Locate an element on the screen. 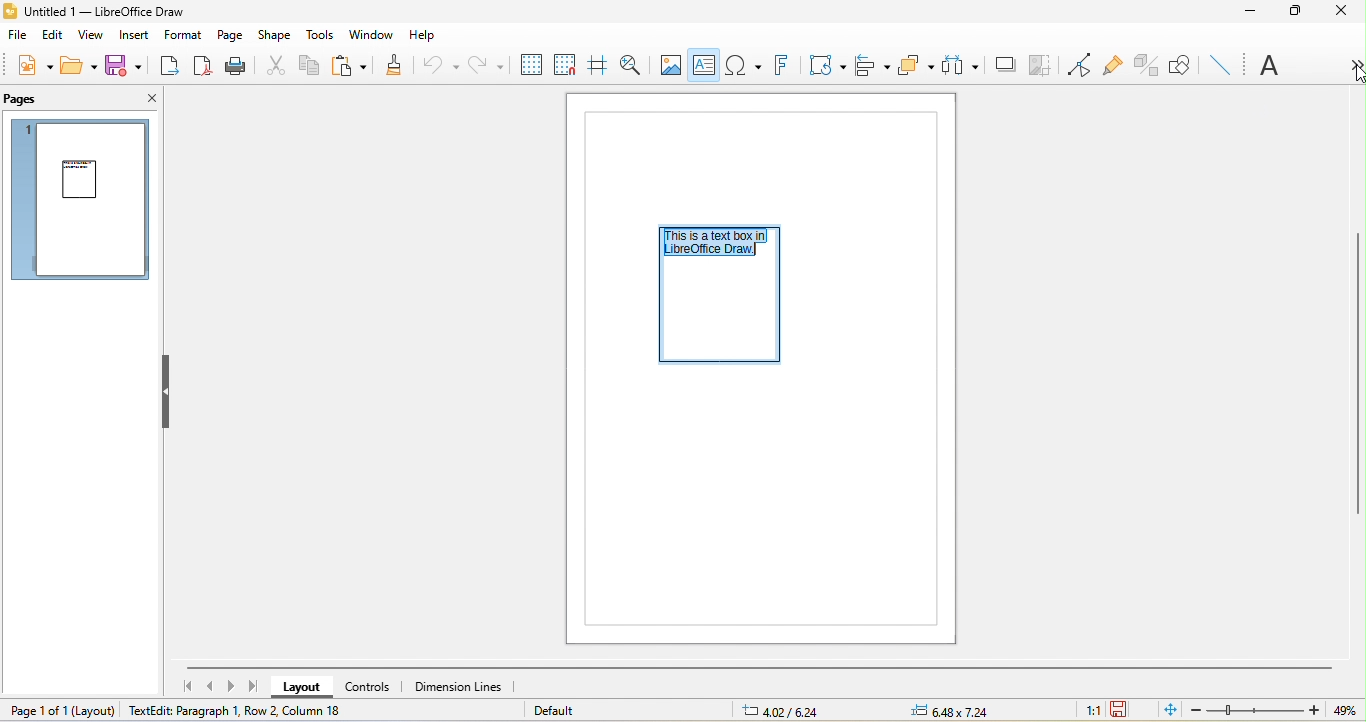  shape is located at coordinates (274, 36).